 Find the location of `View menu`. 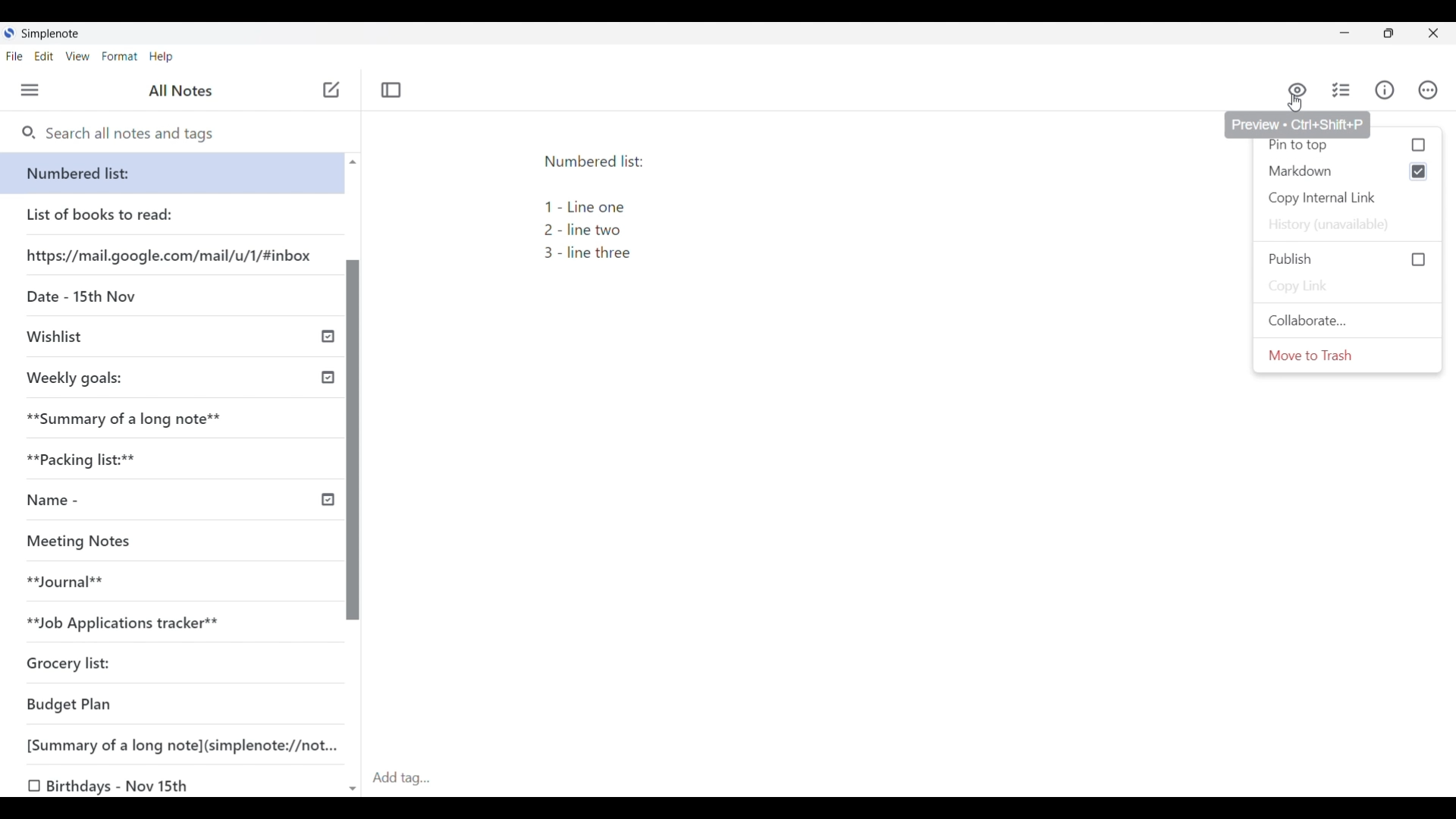

View menu is located at coordinates (77, 56).